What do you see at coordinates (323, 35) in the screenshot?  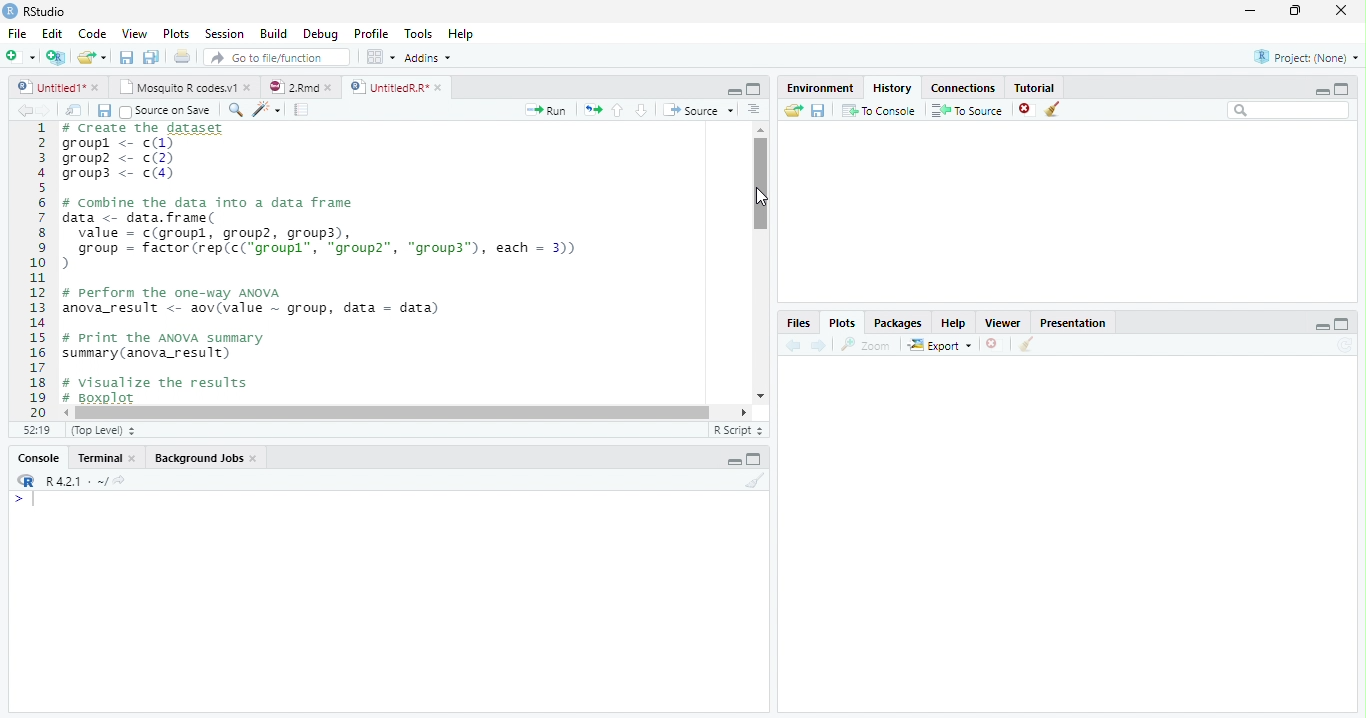 I see `debug` at bounding box center [323, 35].